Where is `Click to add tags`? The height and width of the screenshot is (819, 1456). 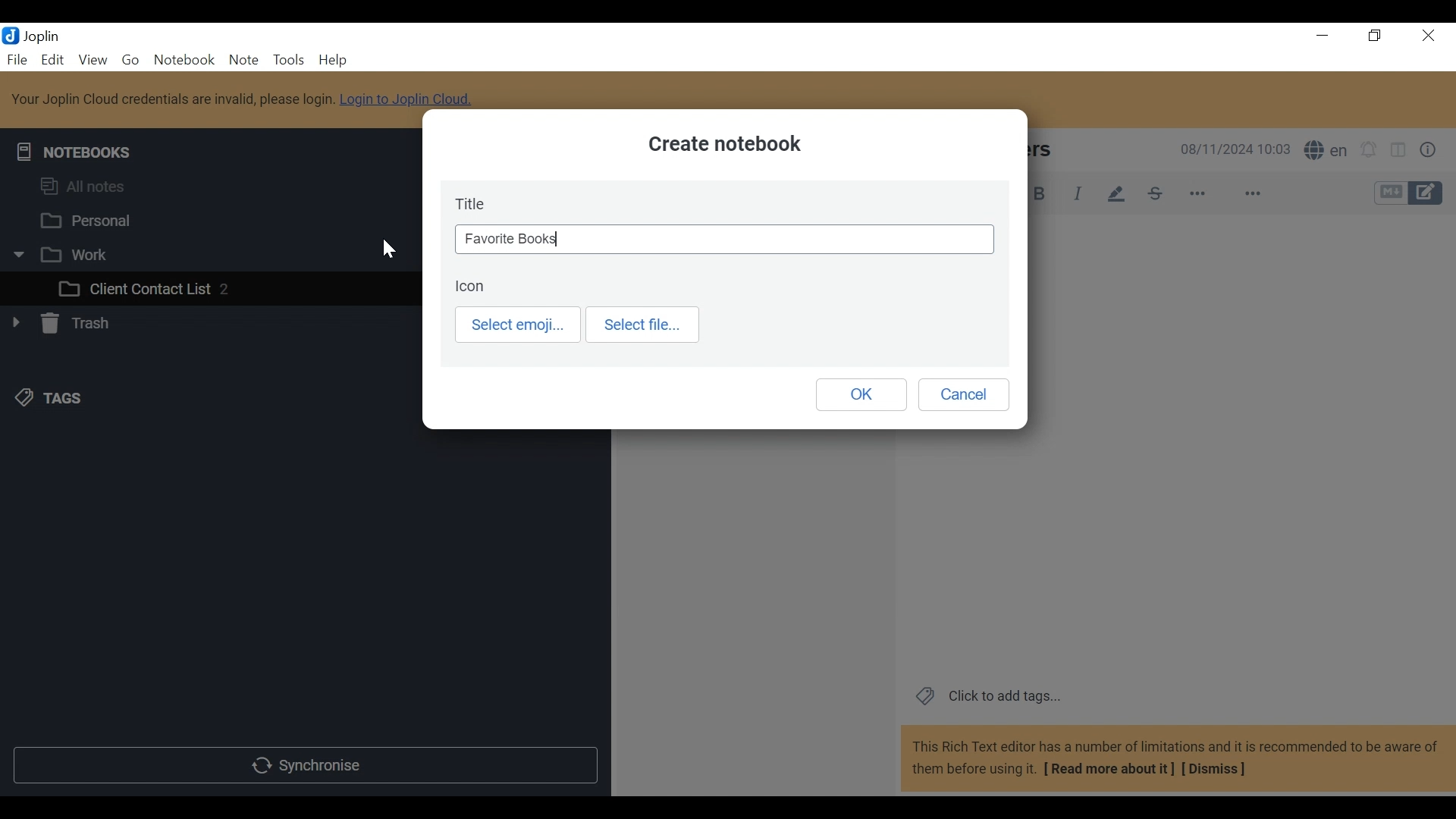
Click to add tags is located at coordinates (990, 697).